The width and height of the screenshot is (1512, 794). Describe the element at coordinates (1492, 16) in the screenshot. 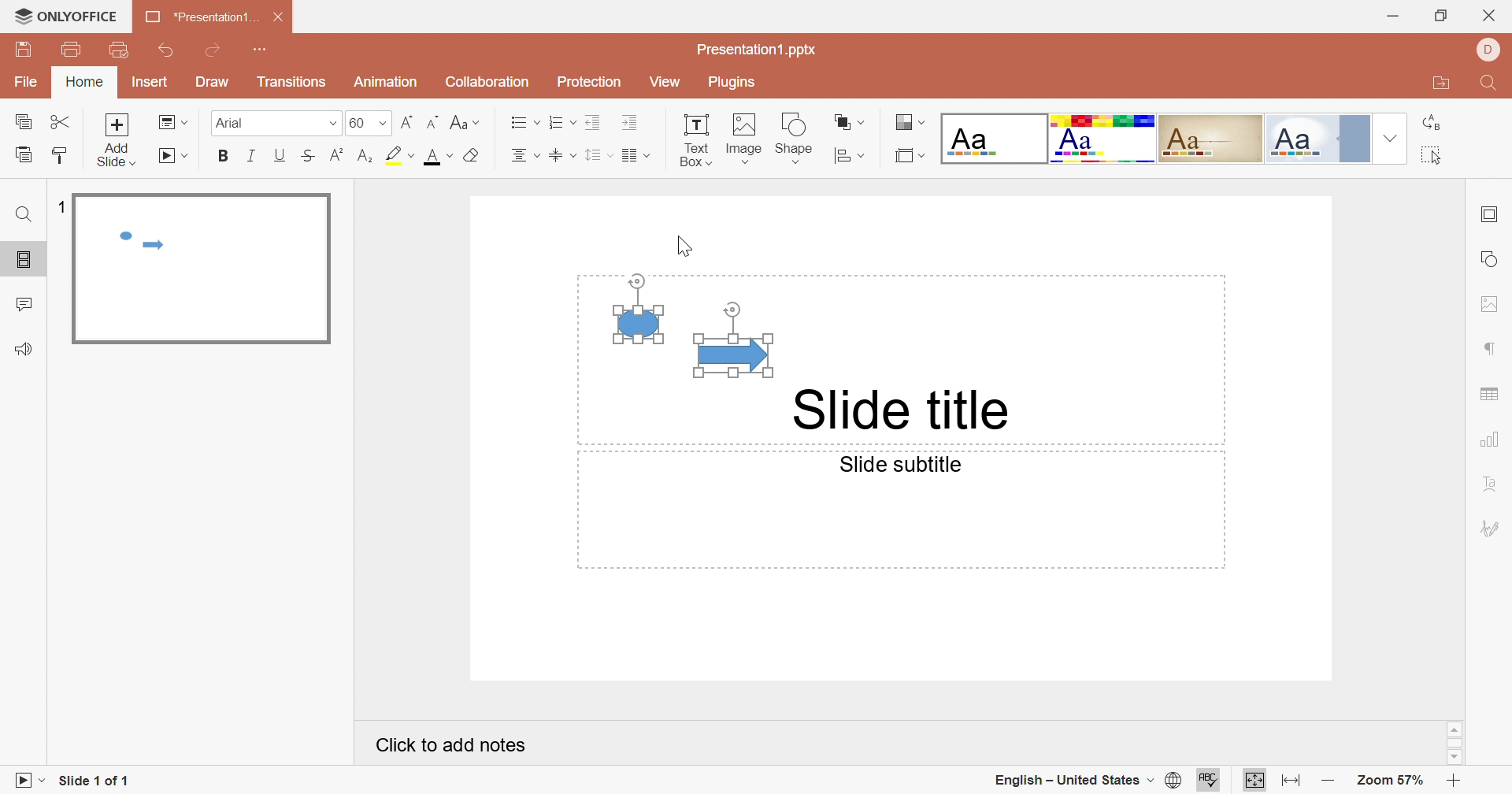

I see `Close` at that location.